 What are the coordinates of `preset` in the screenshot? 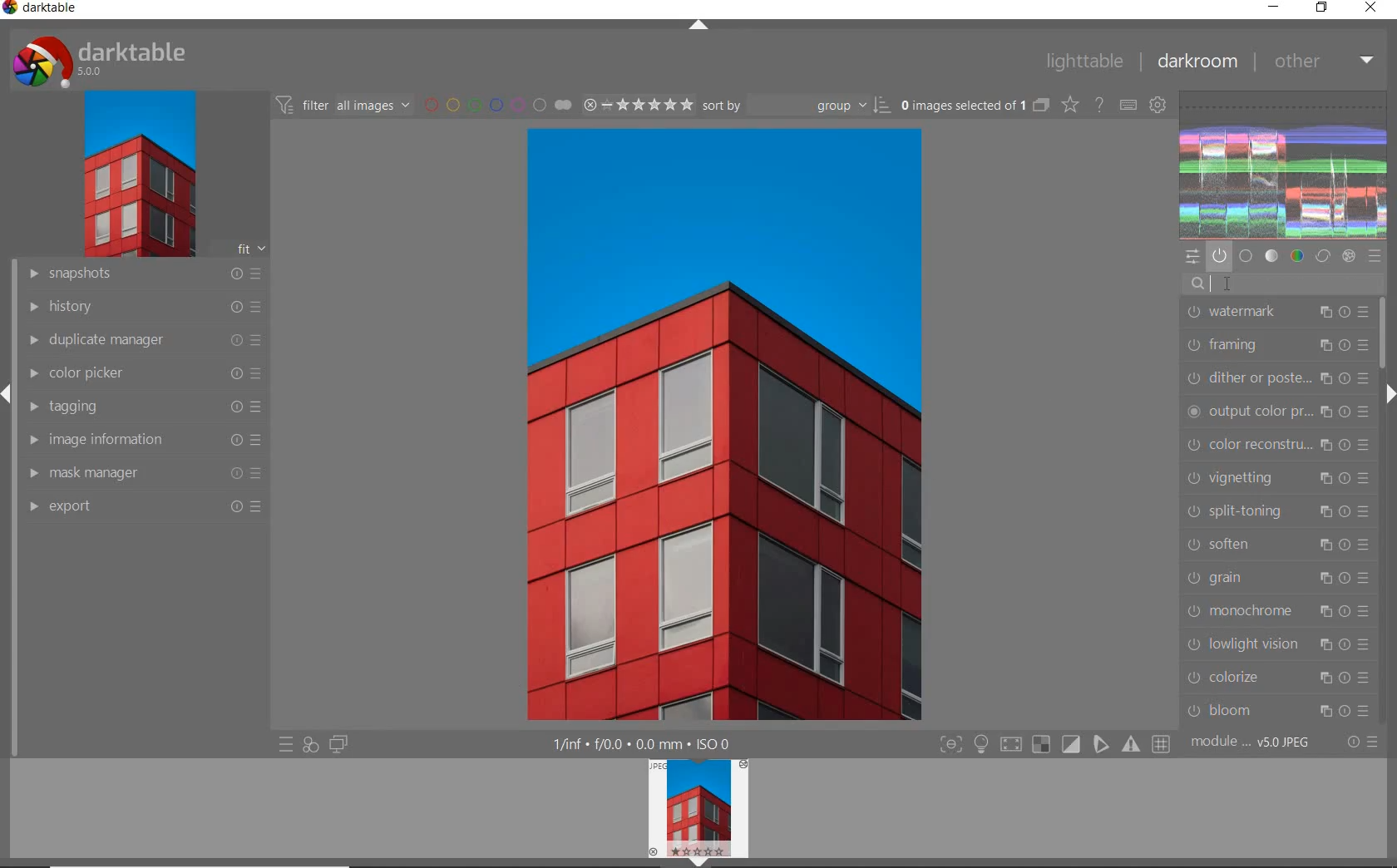 It's located at (1375, 257).